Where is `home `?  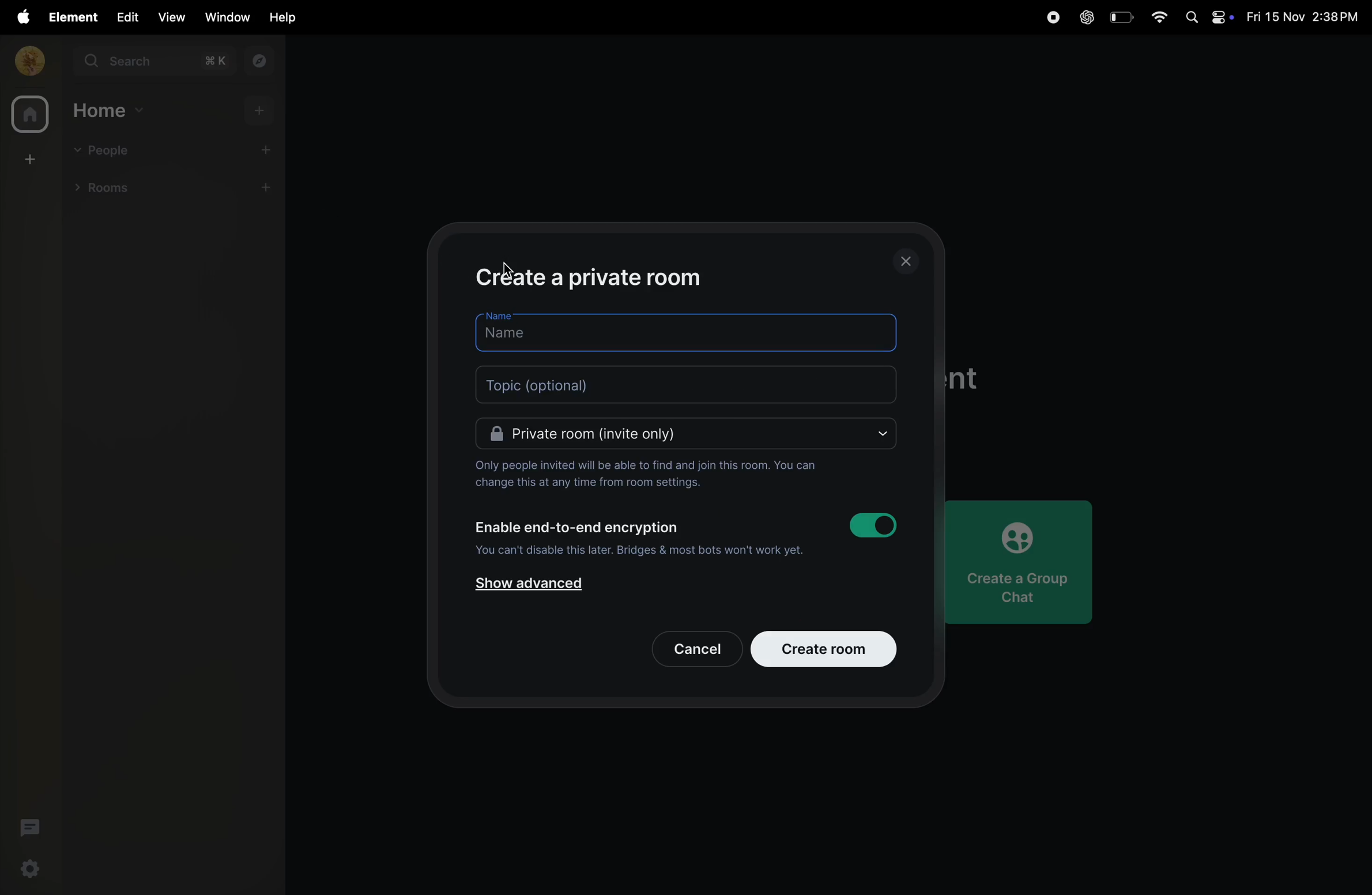 home  is located at coordinates (29, 116).